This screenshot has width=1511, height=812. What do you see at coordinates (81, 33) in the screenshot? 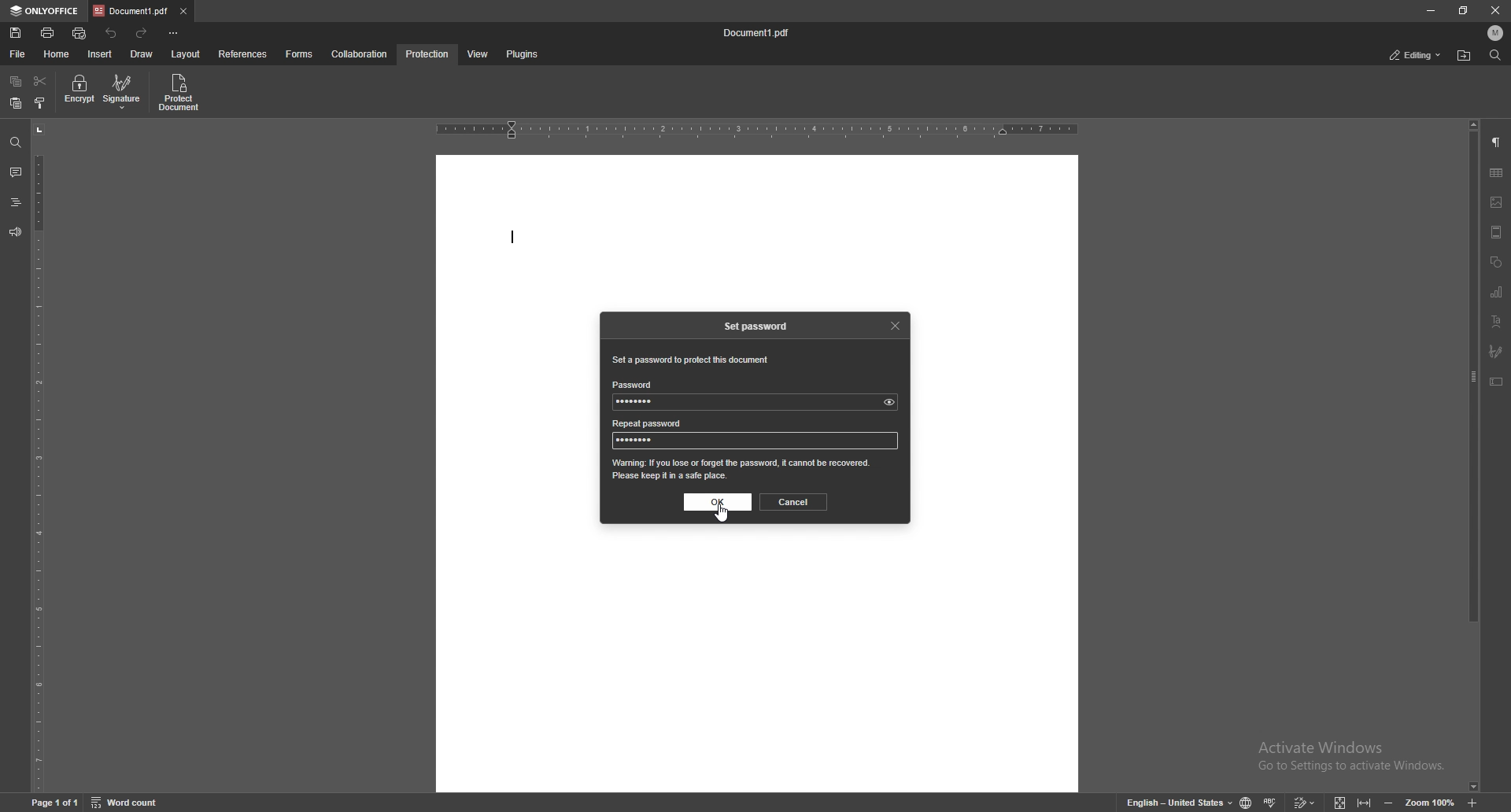
I see `quick print` at bounding box center [81, 33].